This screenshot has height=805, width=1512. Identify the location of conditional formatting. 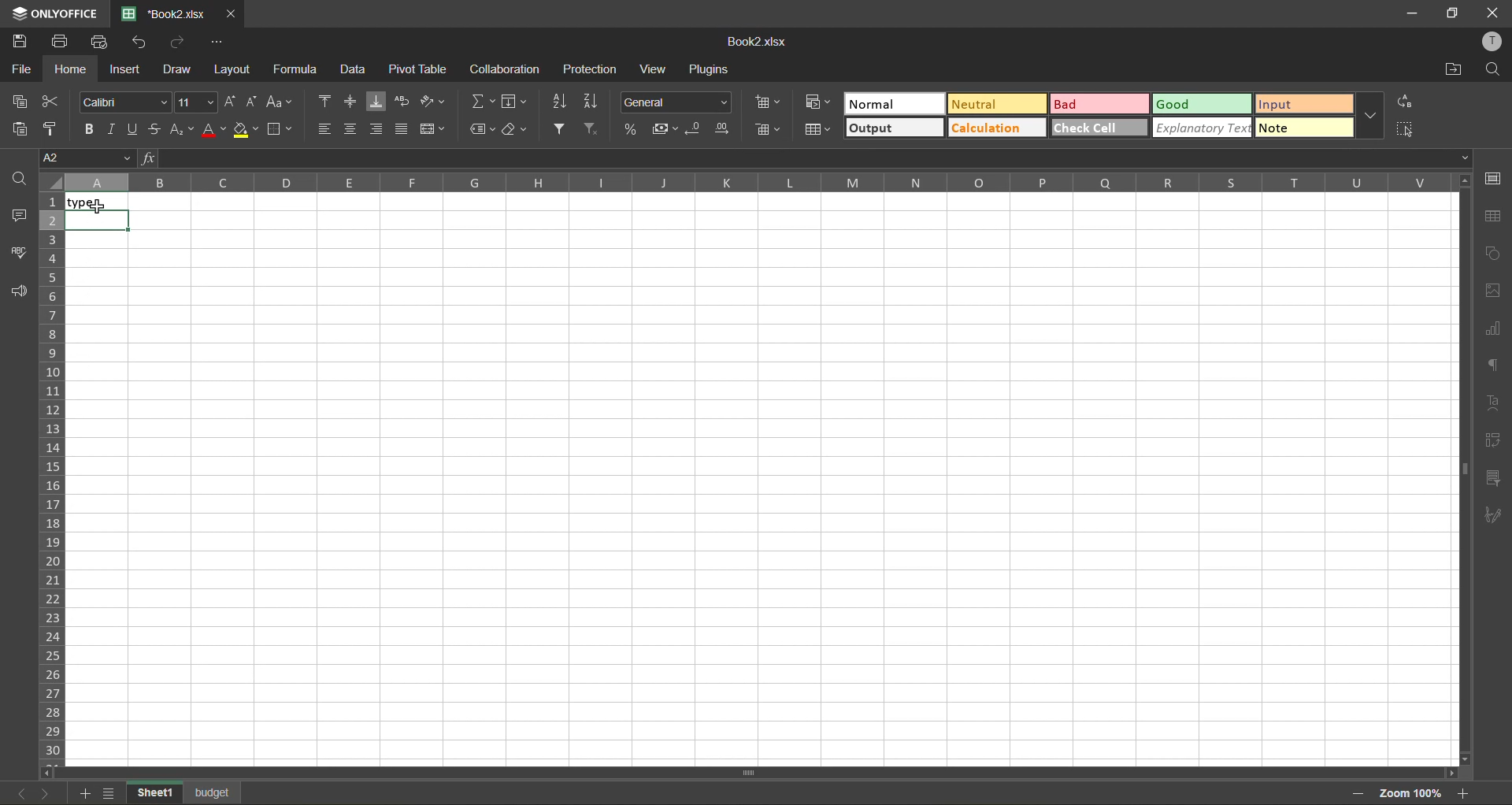
(819, 104).